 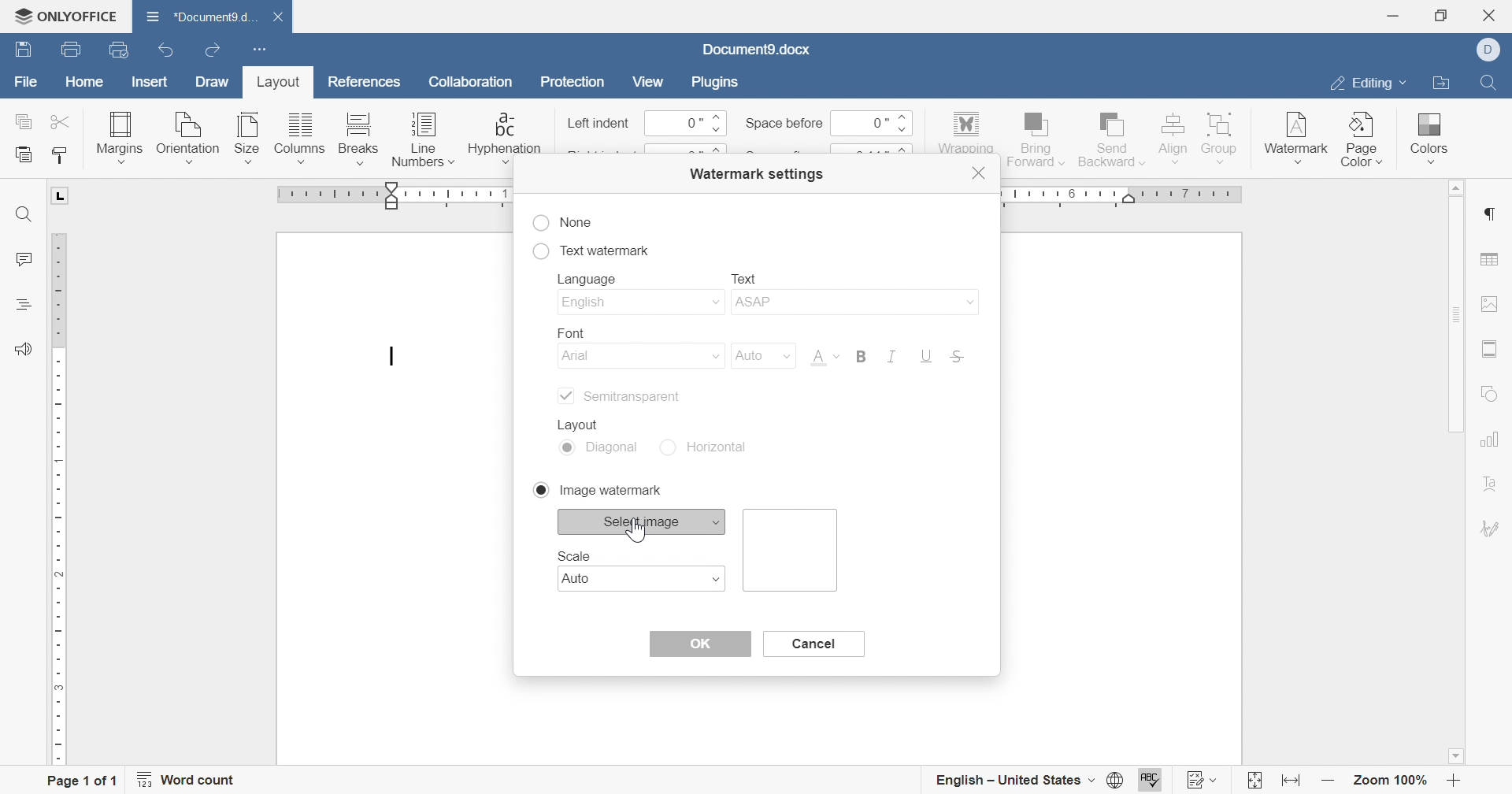 What do you see at coordinates (1446, 15) in the screenshot?
I see `restore down` at bounding box center [1446, 15].